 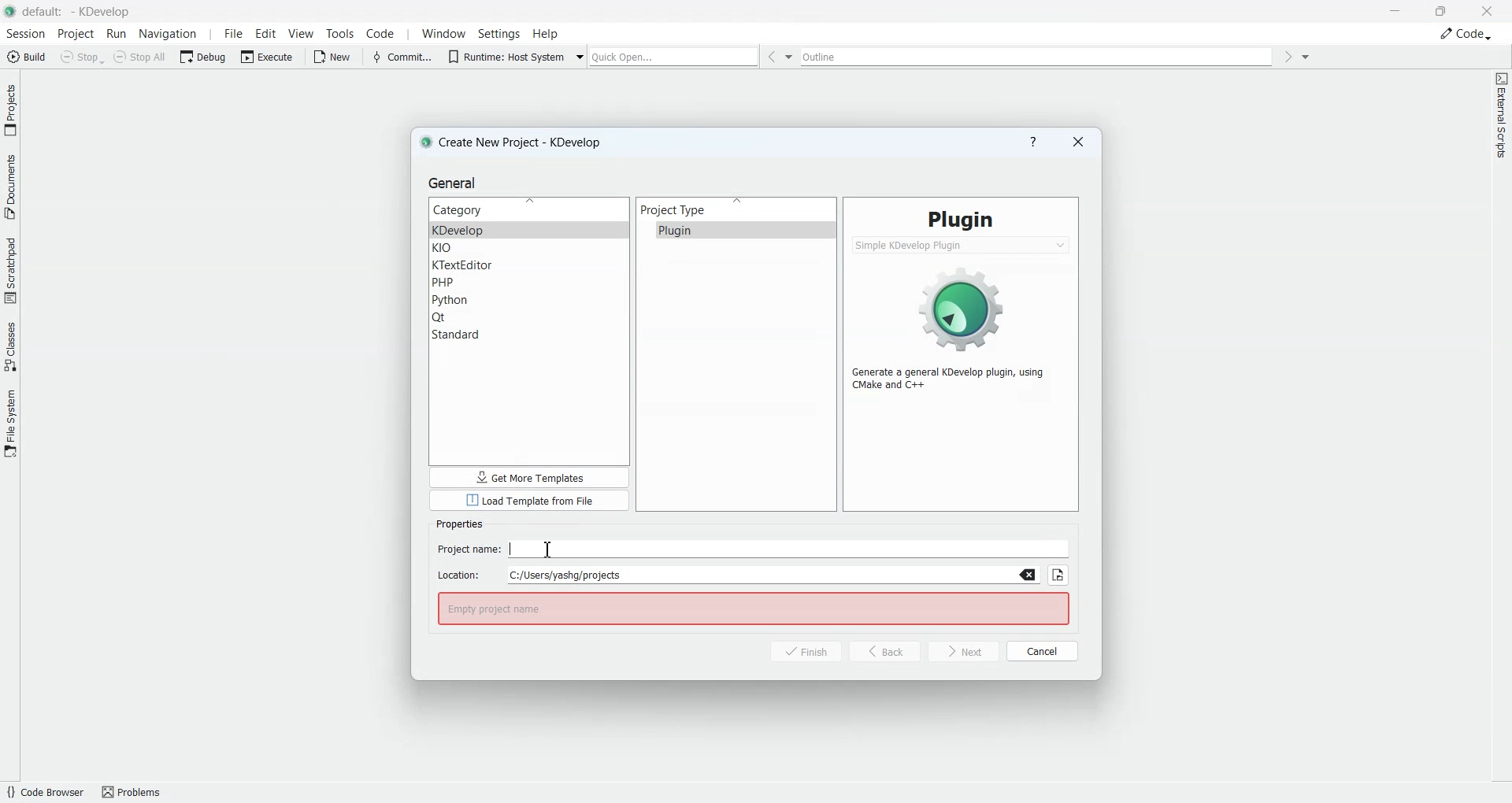 I want to click on Minimize, so click(x=1397, y=11).